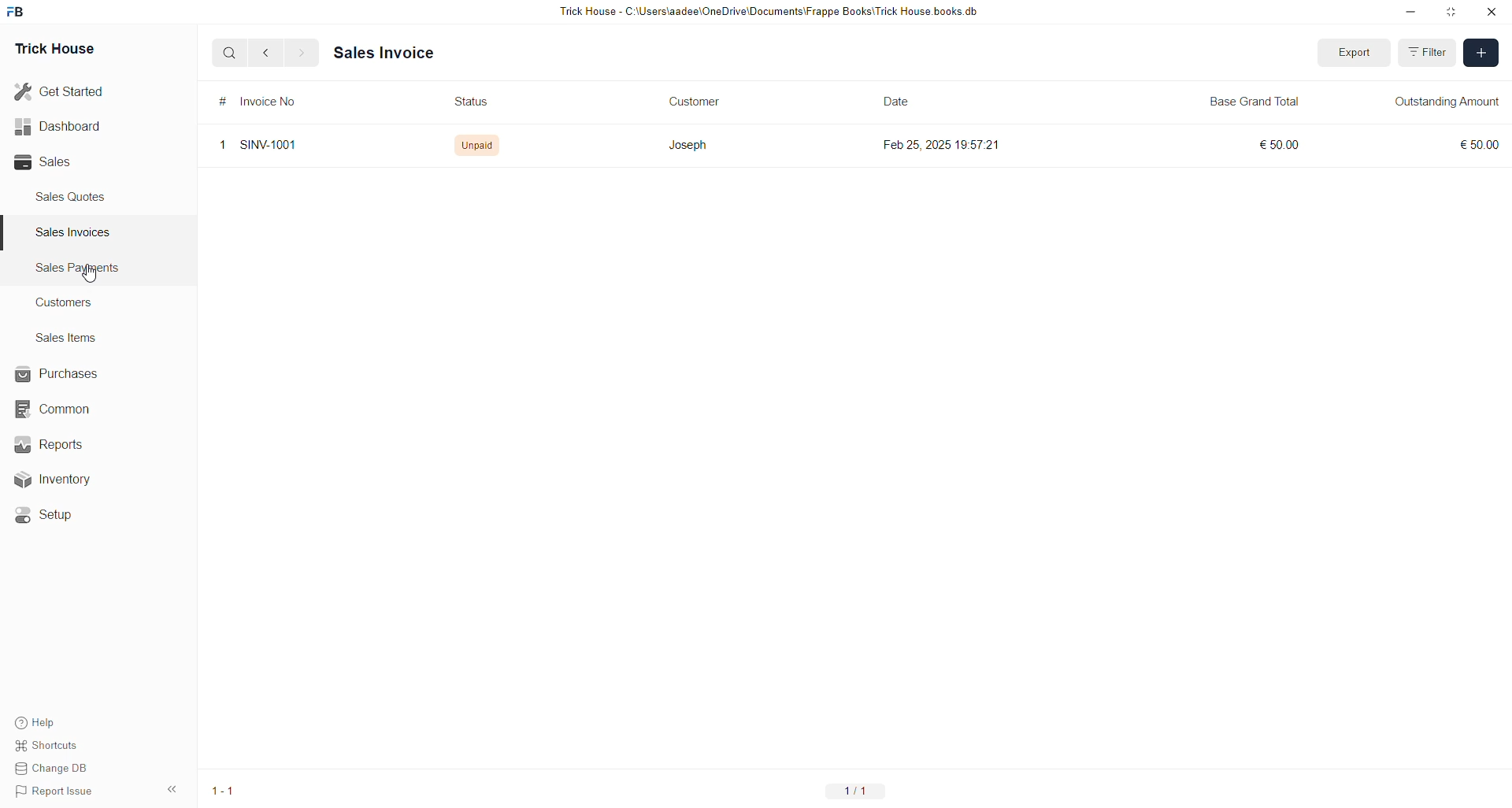  Describe the element at coordinates (69, 302) in the screenshot. I see `Customers` at that location.